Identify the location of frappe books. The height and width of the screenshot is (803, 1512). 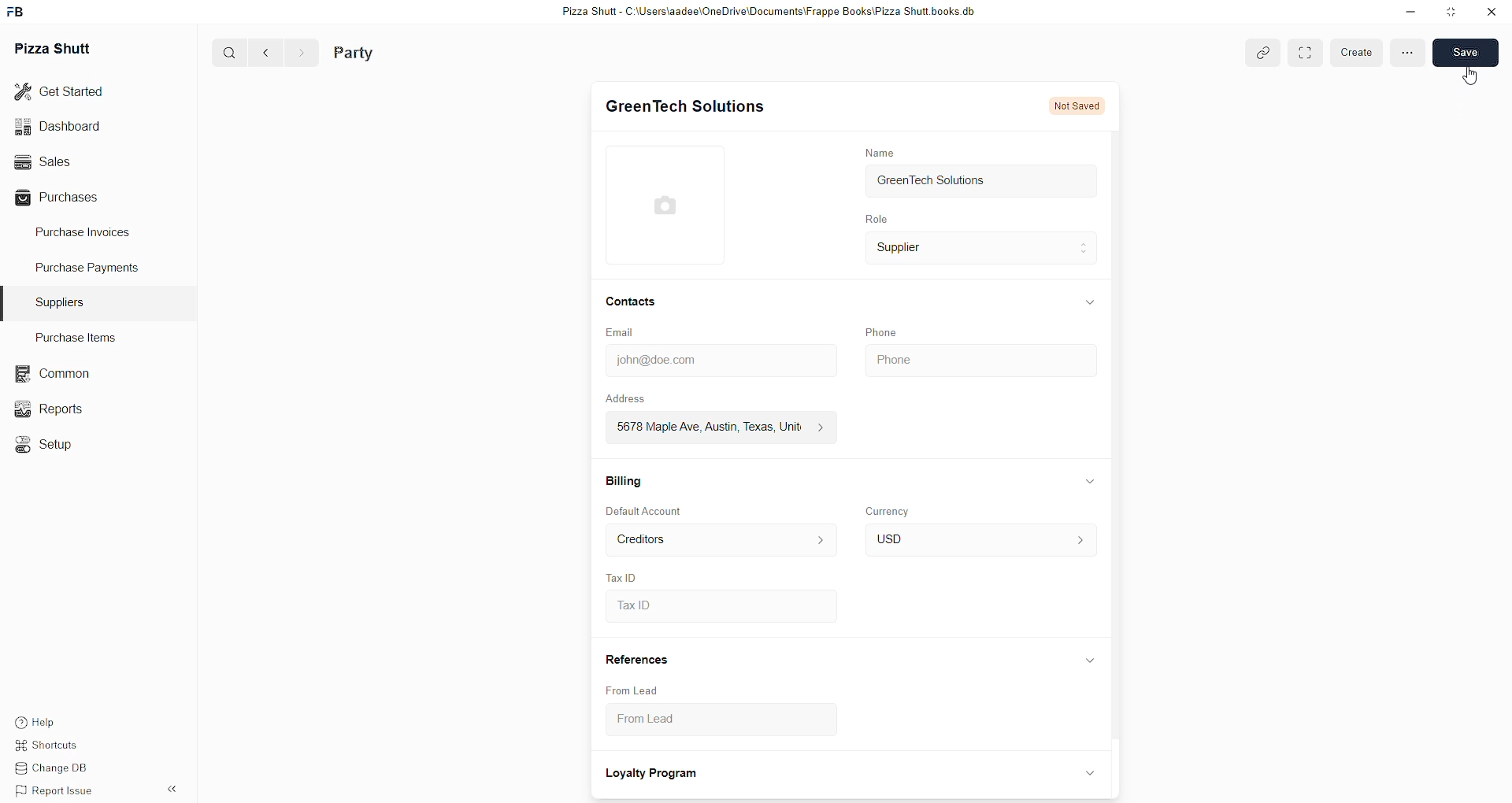
(20, 13).